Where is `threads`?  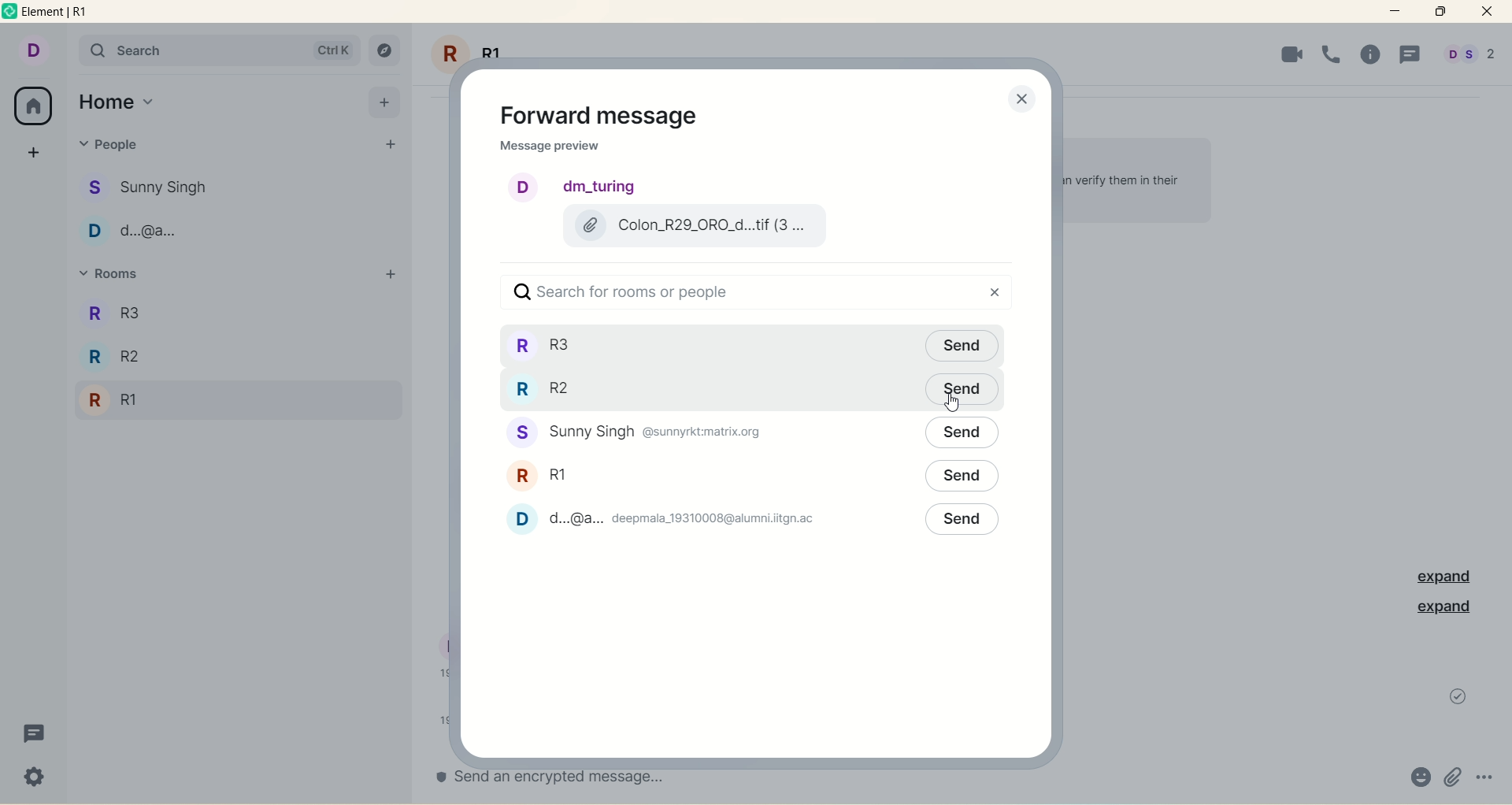 threads is located at coordinates (31, 737).